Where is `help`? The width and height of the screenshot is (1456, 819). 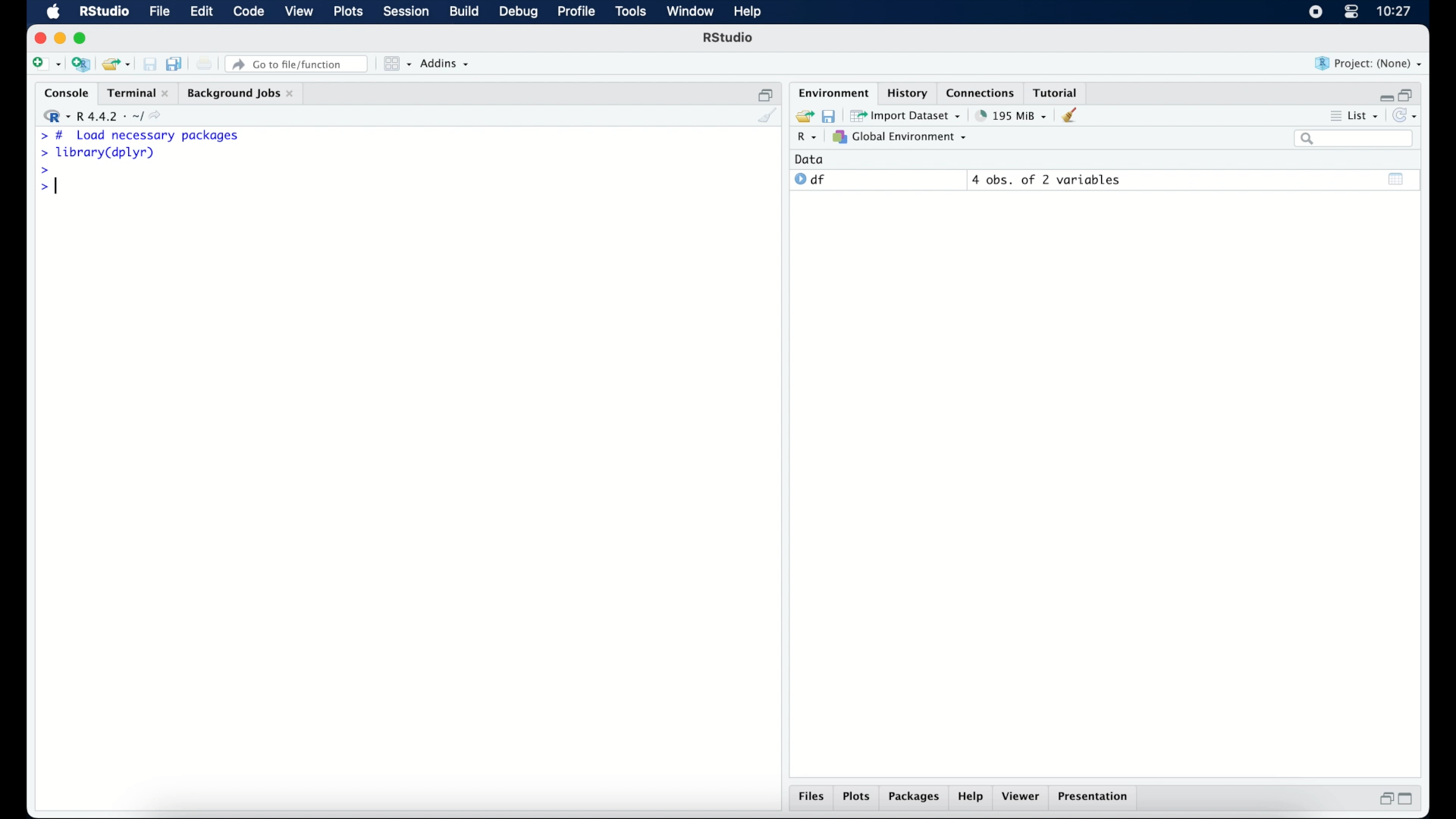 help is located at coordinates (971, 799).